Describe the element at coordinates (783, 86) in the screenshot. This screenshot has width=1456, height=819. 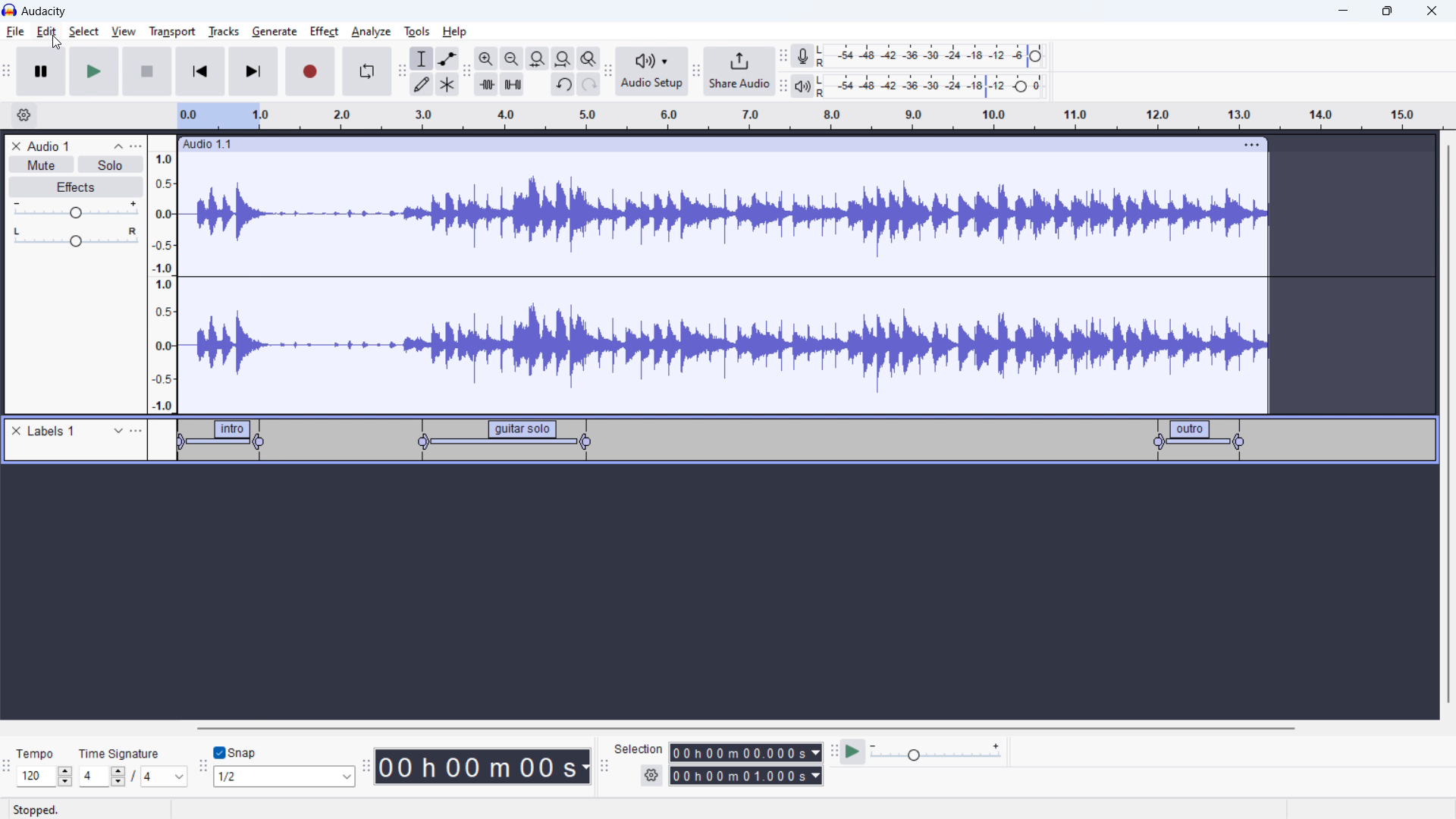
I see `playback meter toolbar` at that location.